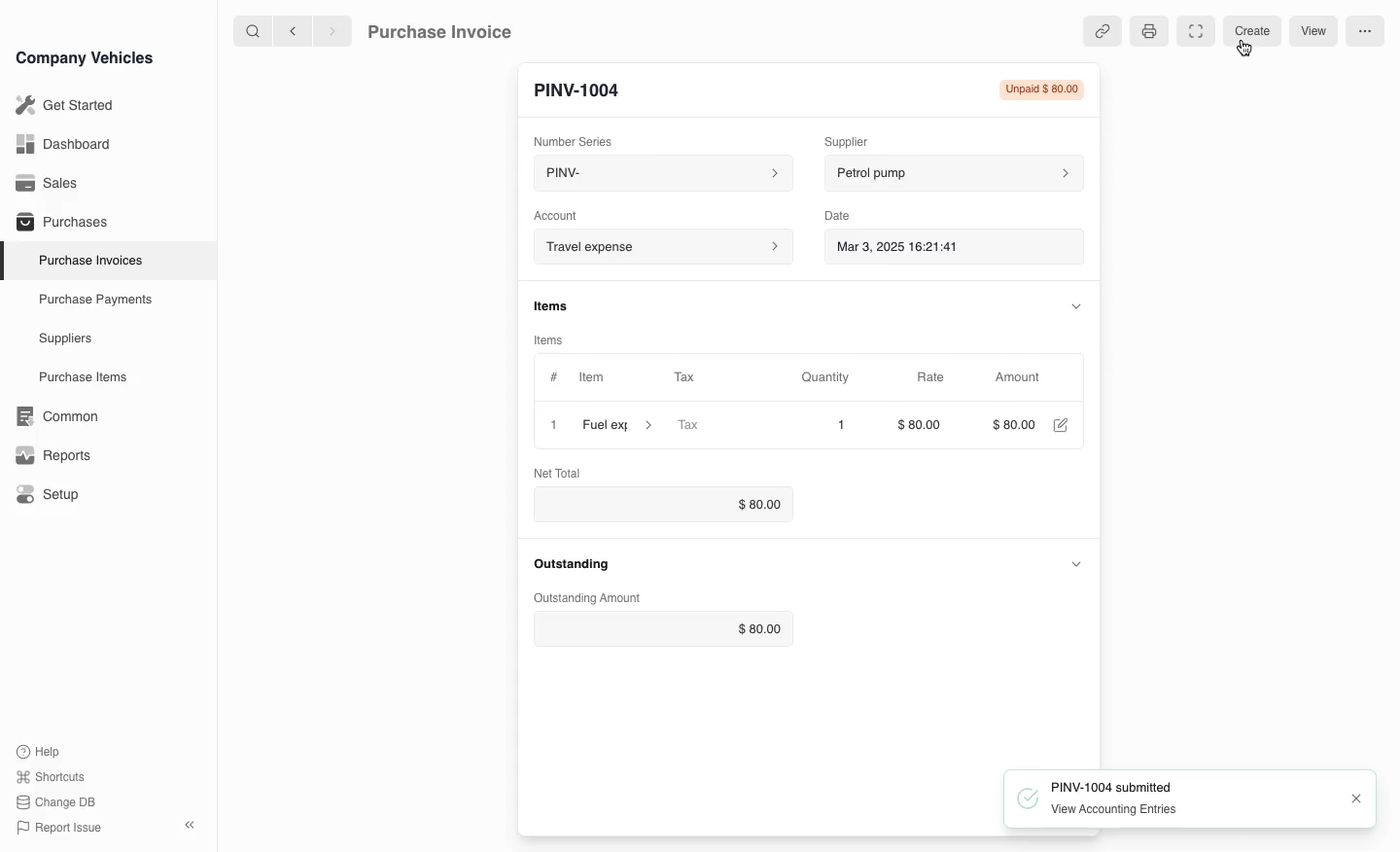  What do you see at coordinates (48, 183) in the screenshot?
I see `Sales` at bounding box center [48, 183].